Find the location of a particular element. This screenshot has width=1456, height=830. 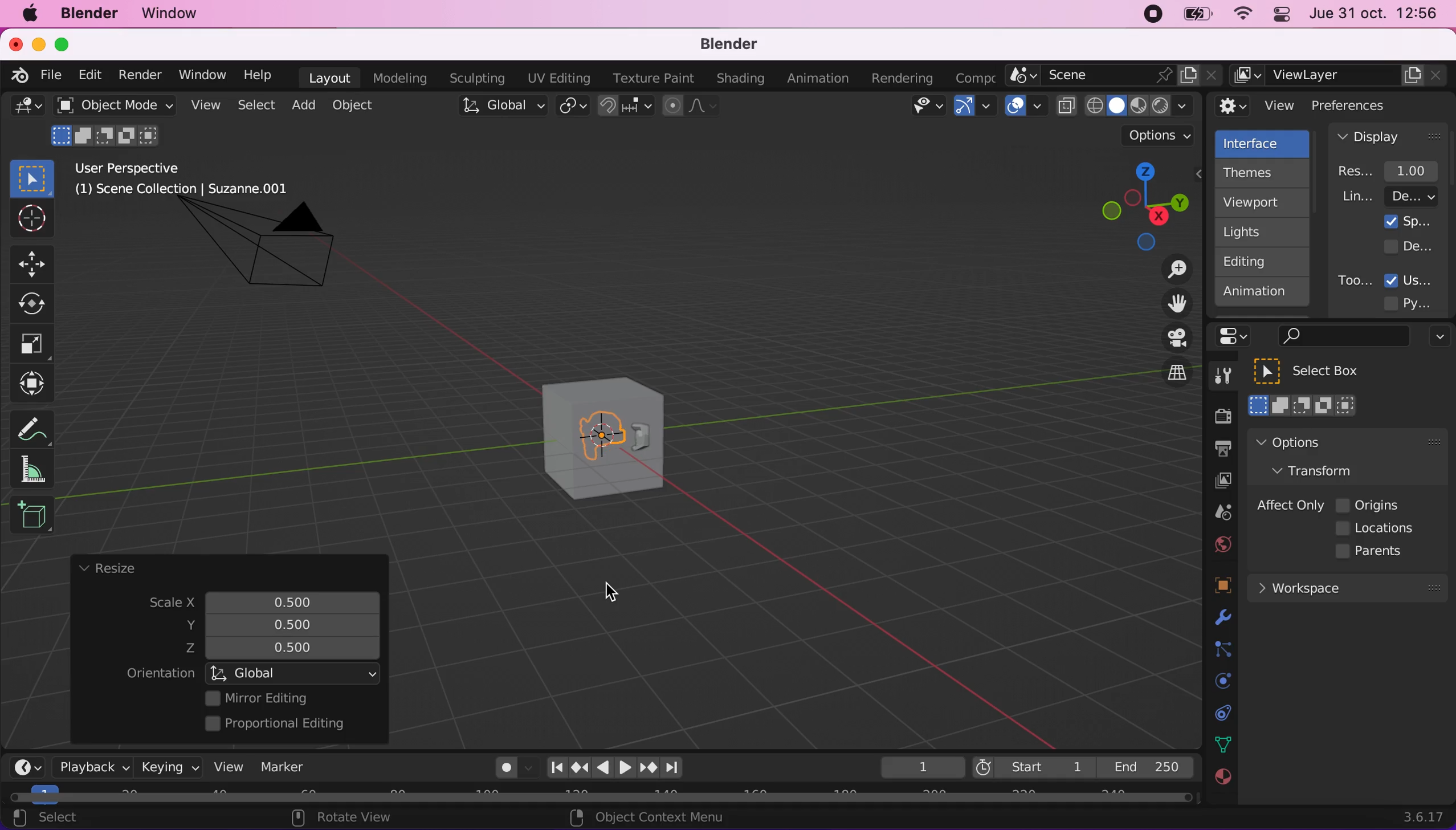

panel control is located at coordinates (1279, 16).